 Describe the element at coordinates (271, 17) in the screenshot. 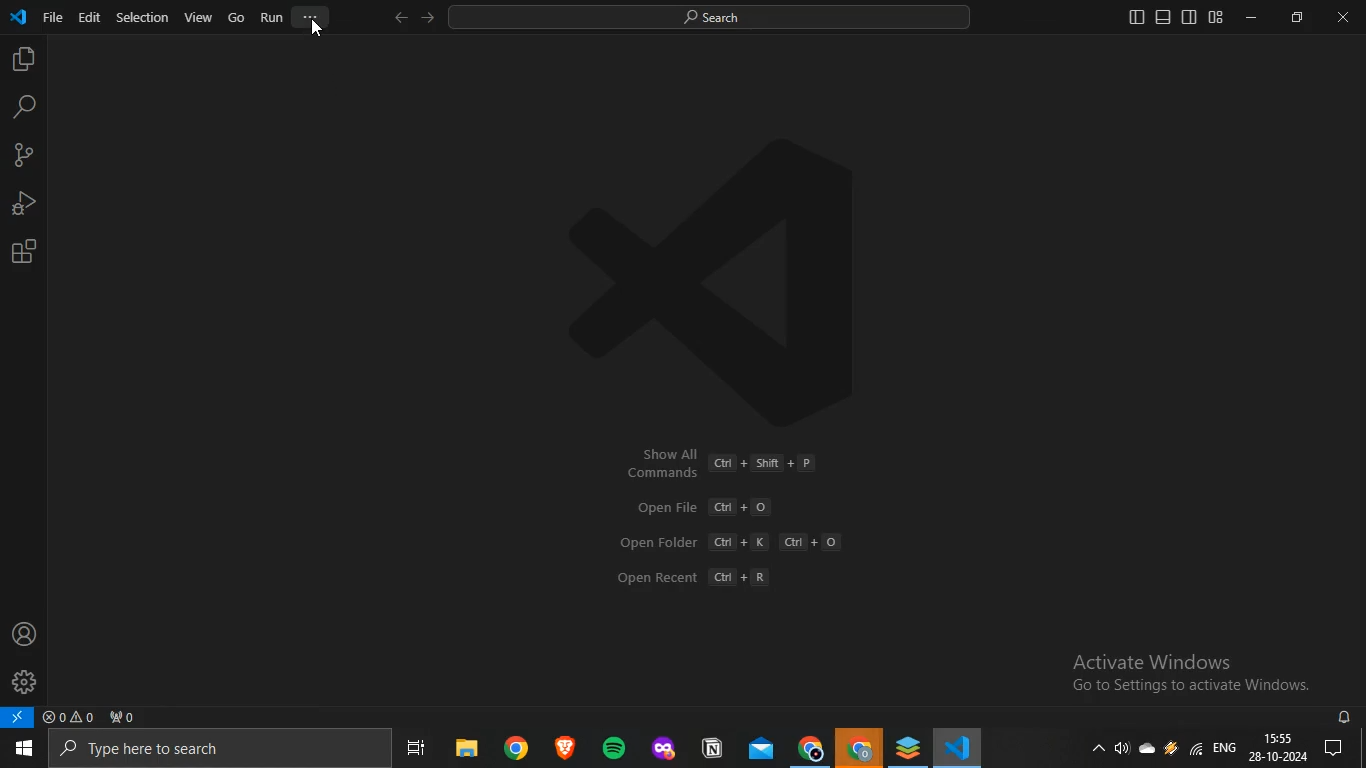

I see `run` at that location.